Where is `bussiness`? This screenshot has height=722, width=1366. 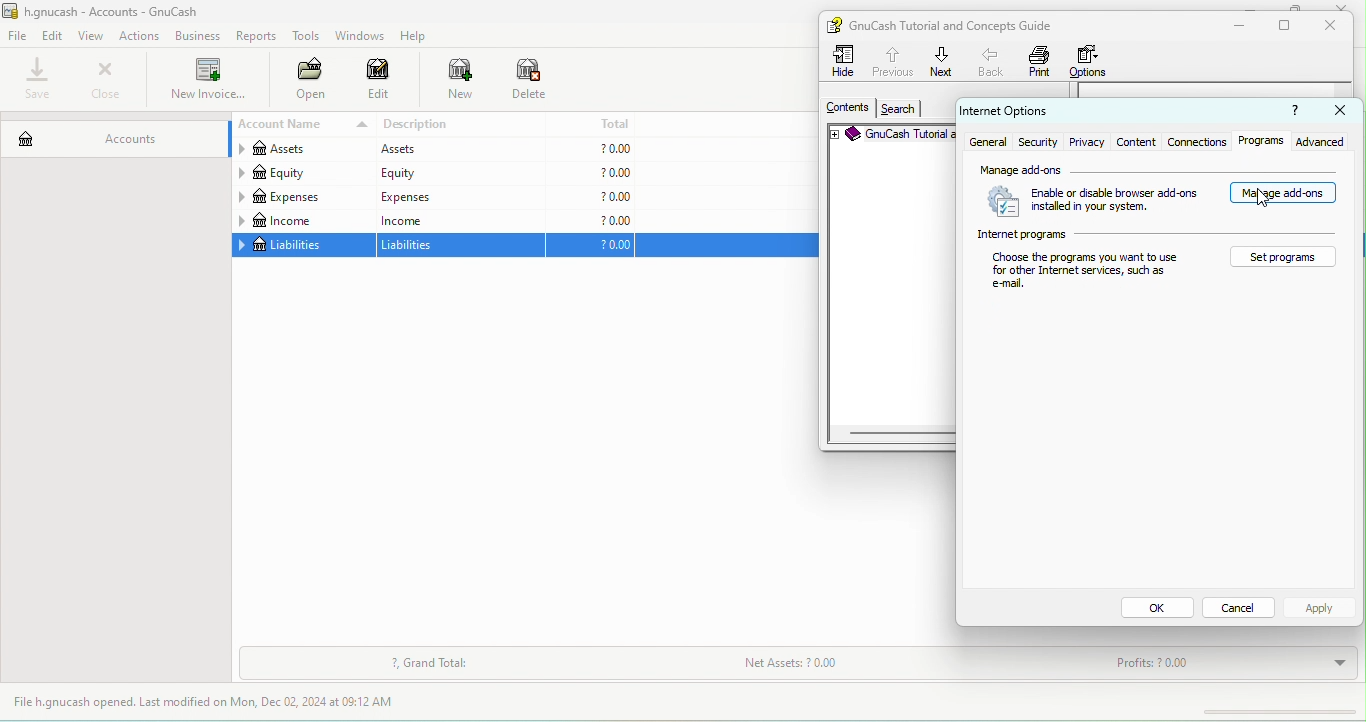 bussiness is located at coordinates (198, 36).